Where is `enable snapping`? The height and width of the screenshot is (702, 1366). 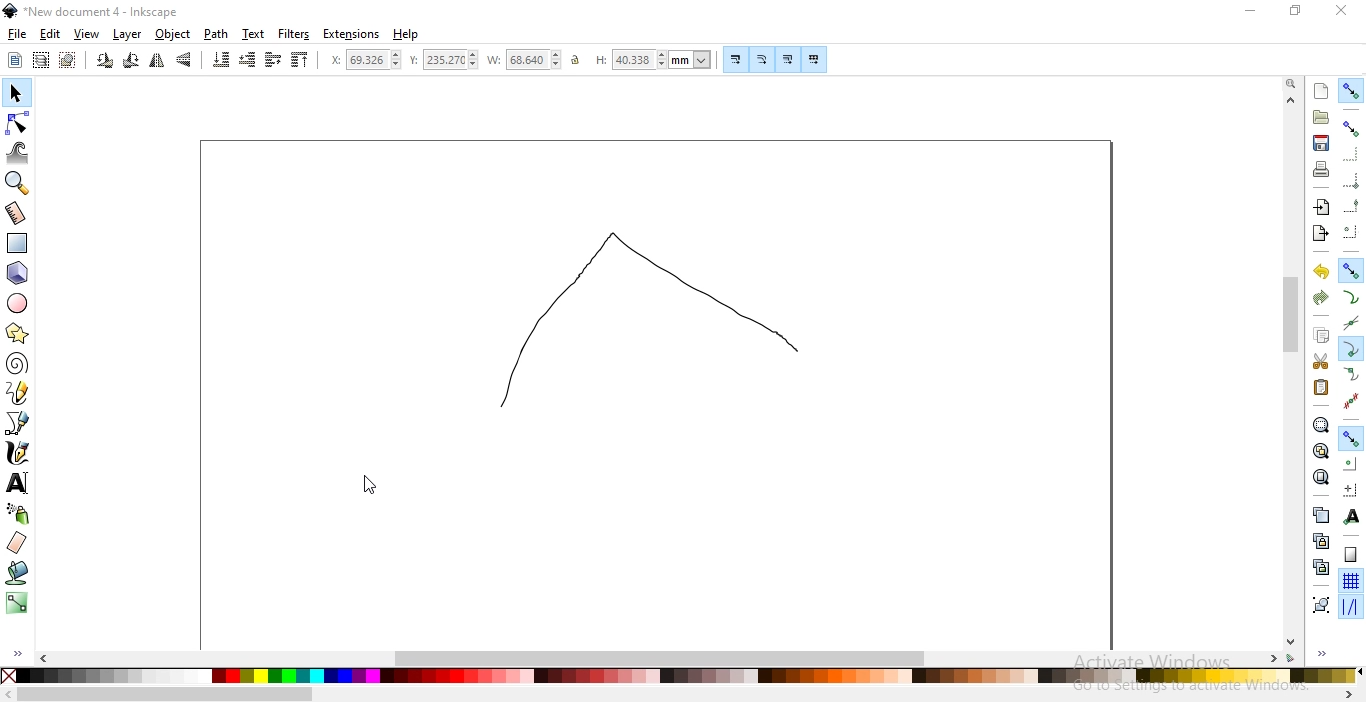
enable snapping is located at coordinates (1351, 91).